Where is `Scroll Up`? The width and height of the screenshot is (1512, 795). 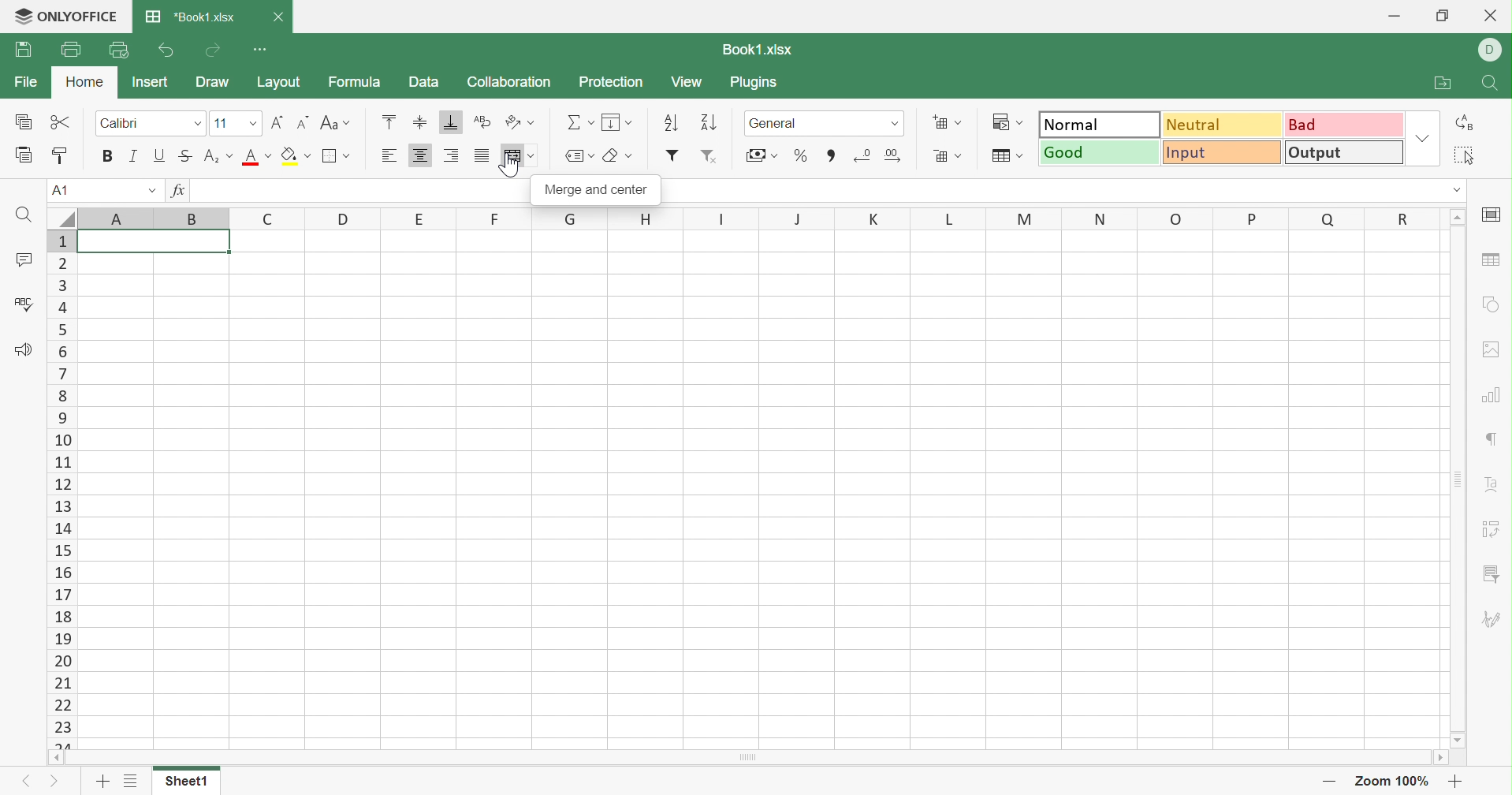
Scroll Up is located at coordinates (1458, 217).